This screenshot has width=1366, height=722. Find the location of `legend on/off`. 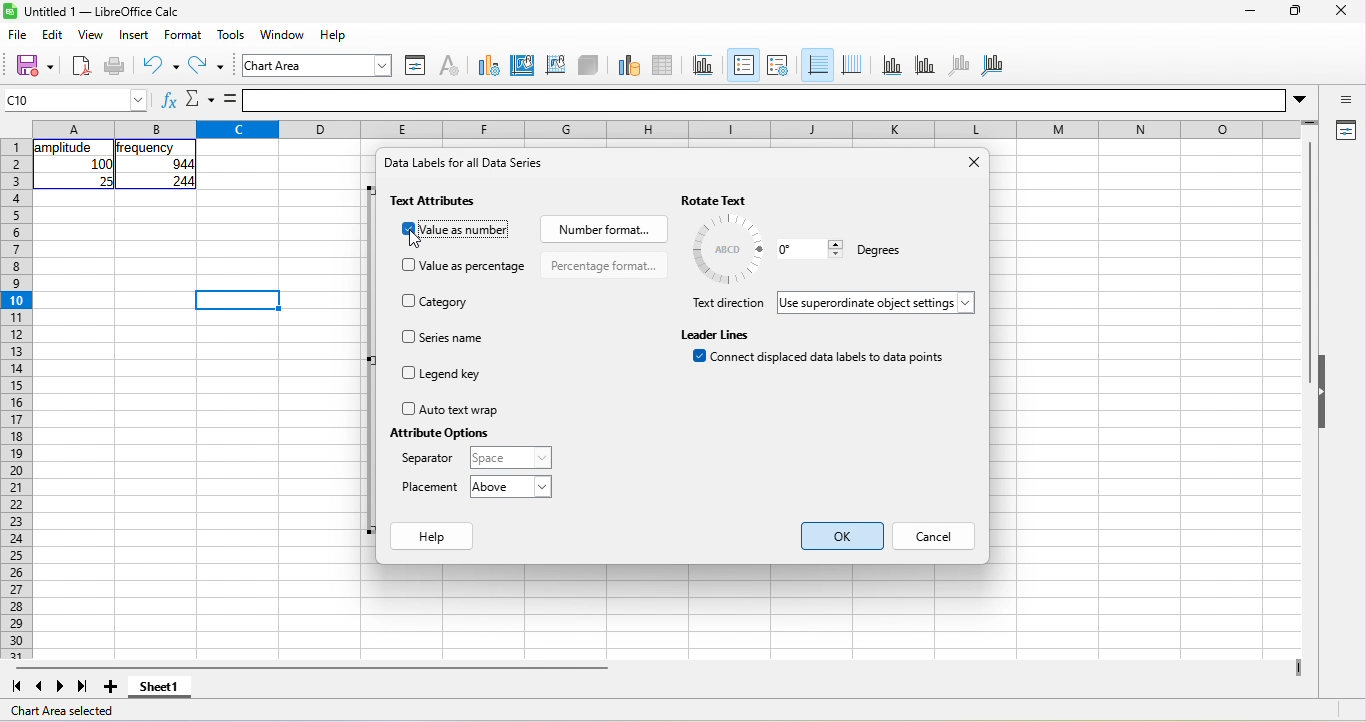

legend on/off is located at coordinates (741, 65).